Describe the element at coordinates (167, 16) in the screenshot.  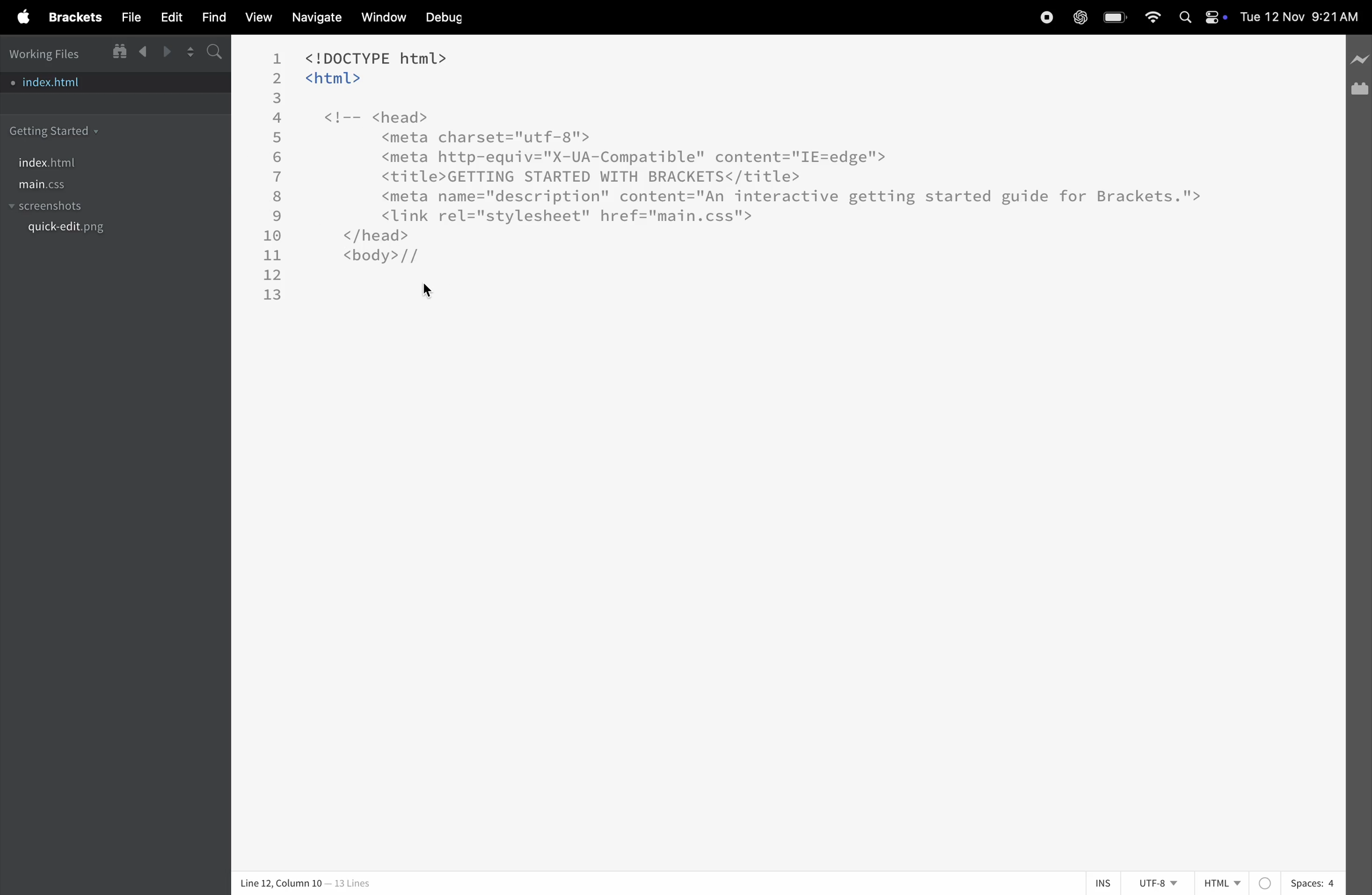
I see `edit` at that location.